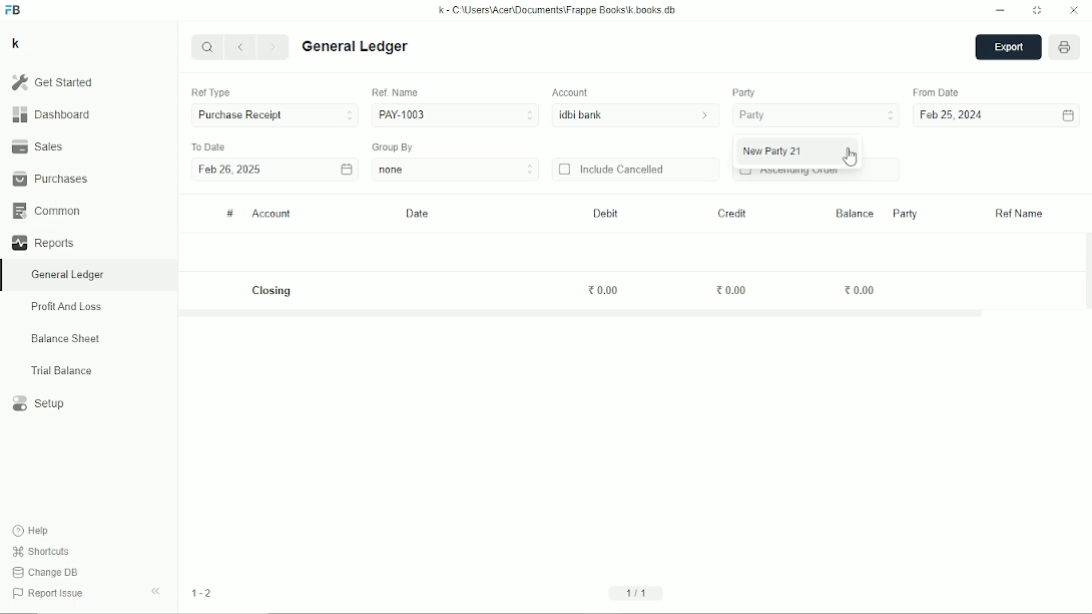  Describe the element at coordinates (1074, 11) in the screenshot. I see `Close` at that location.